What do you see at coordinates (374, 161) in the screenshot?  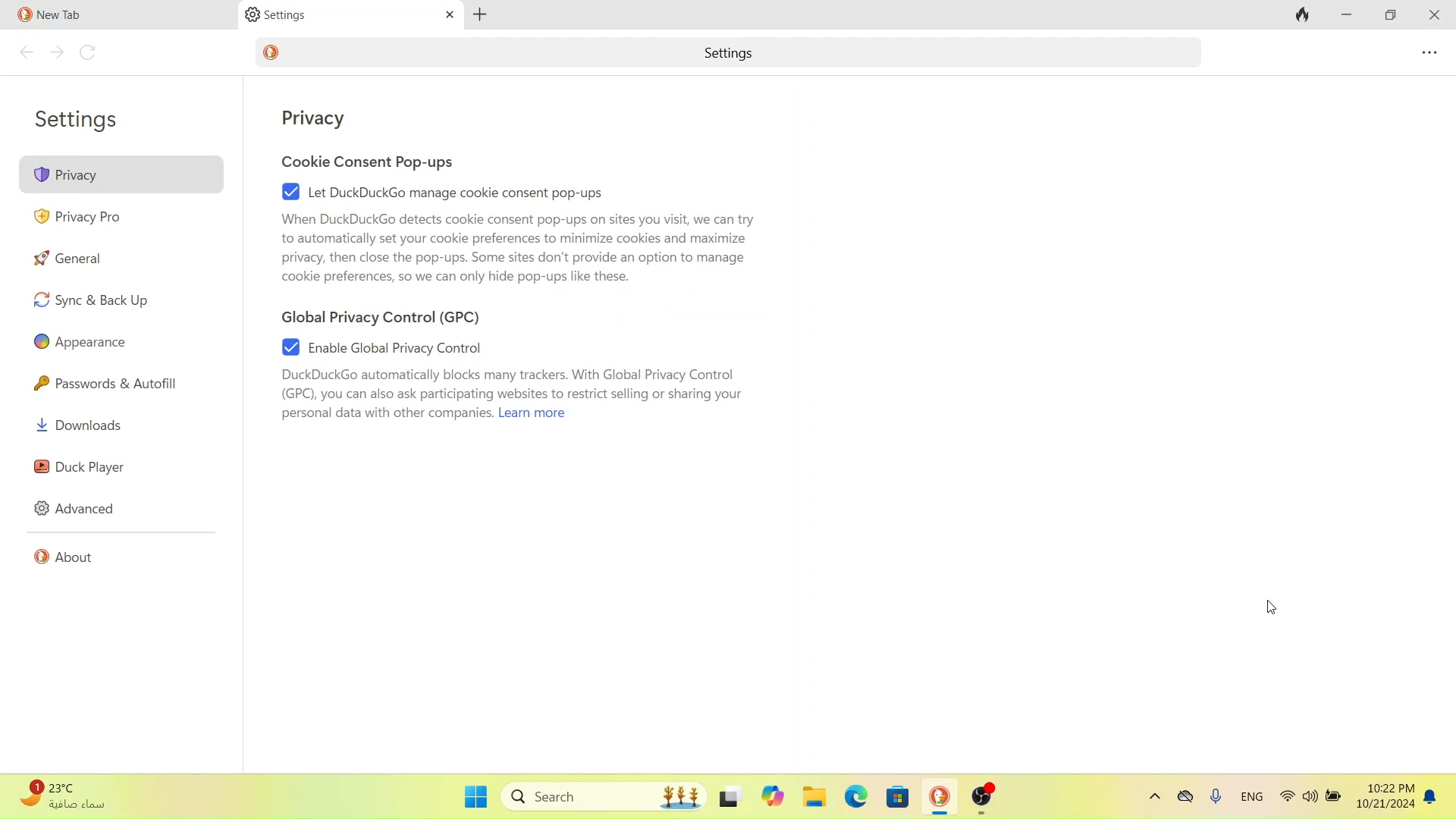 I see `cookie consent` at bounding box center [374, 161].